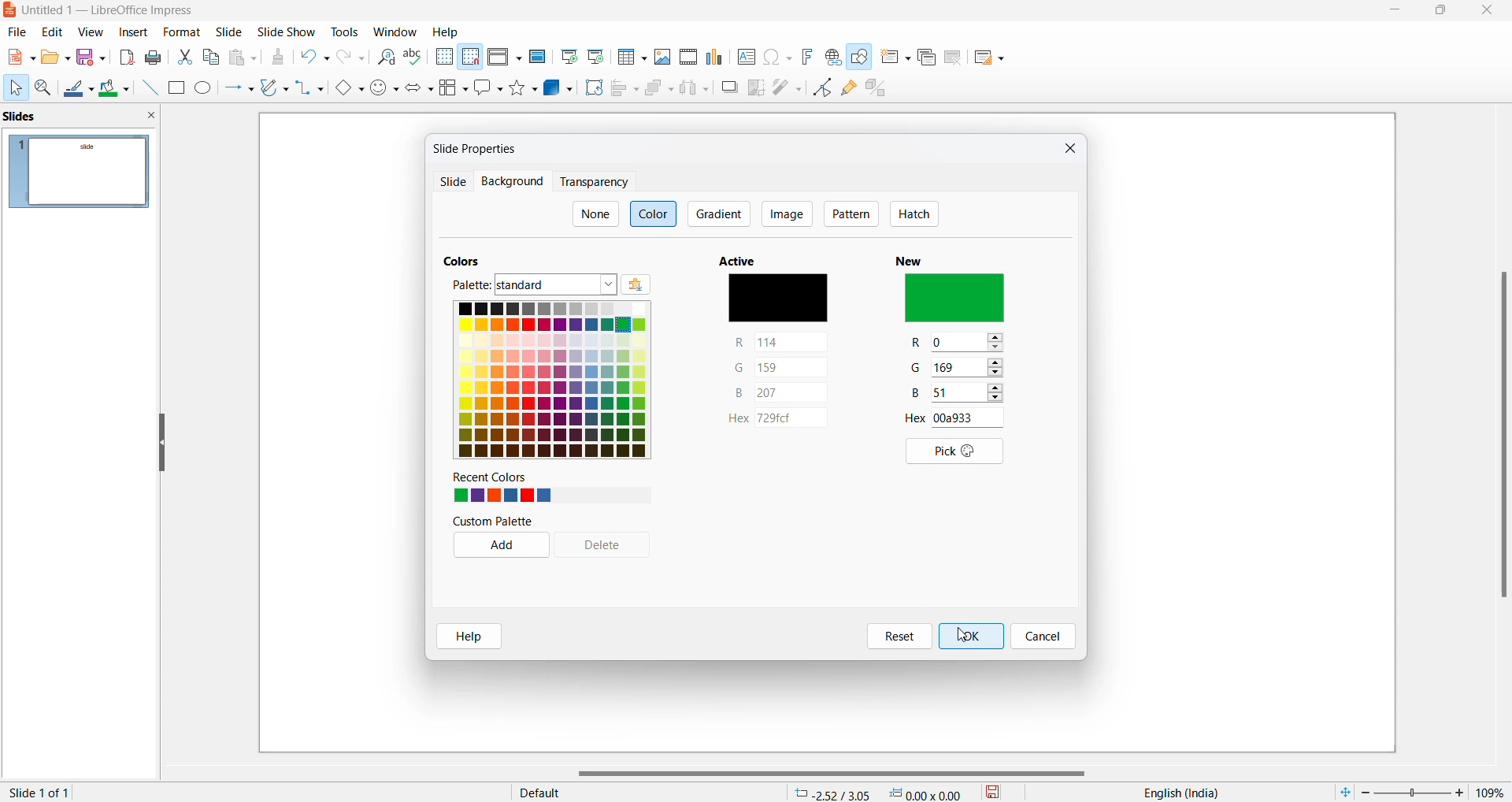 Image resolution: width=1512 pixels, height=802 pixels. Describe the element at coordinates (558, 87) in the screenshot. I see `3d objects` at that location.